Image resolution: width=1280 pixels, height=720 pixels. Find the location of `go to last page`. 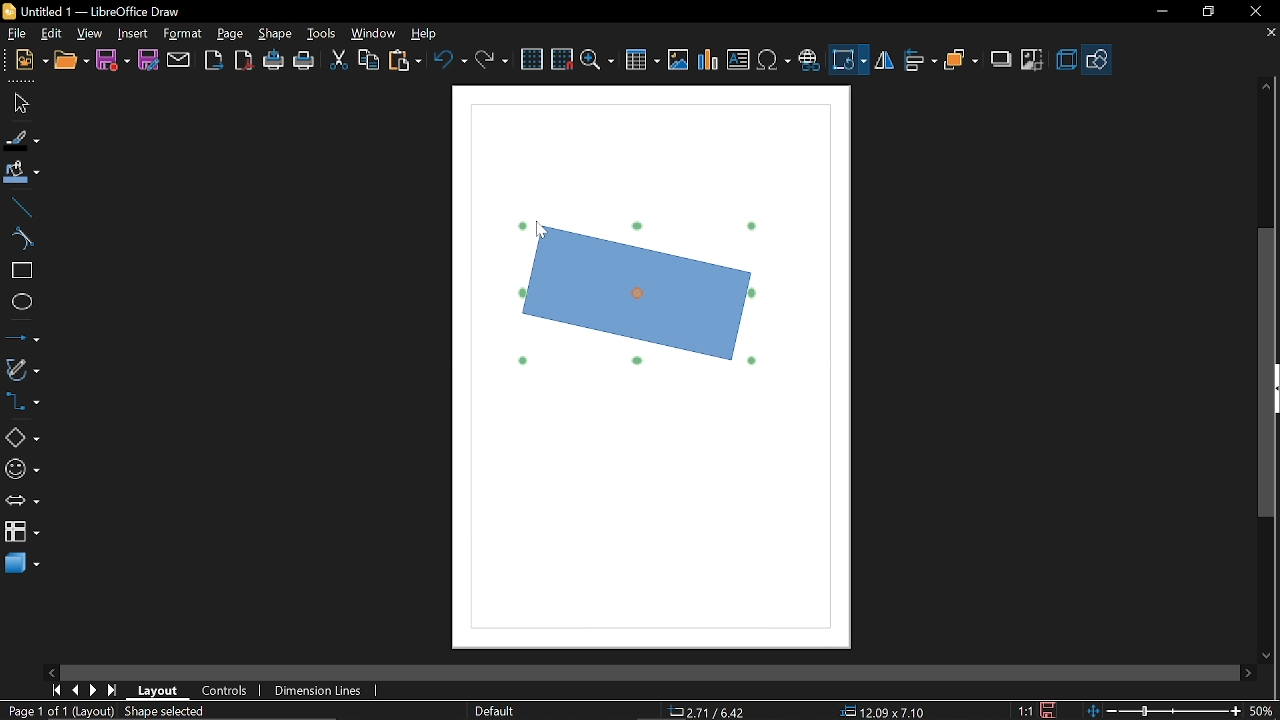

go to last page is located at coordinates (114, 691).